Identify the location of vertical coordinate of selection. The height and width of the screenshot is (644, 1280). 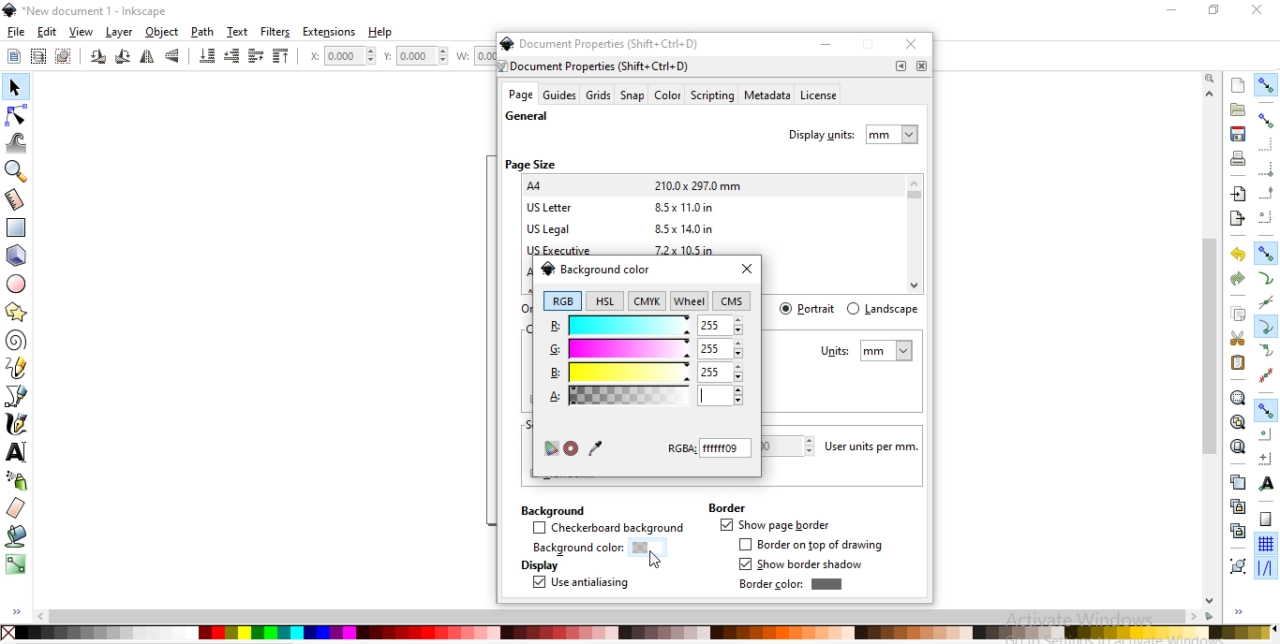
(418, 56).